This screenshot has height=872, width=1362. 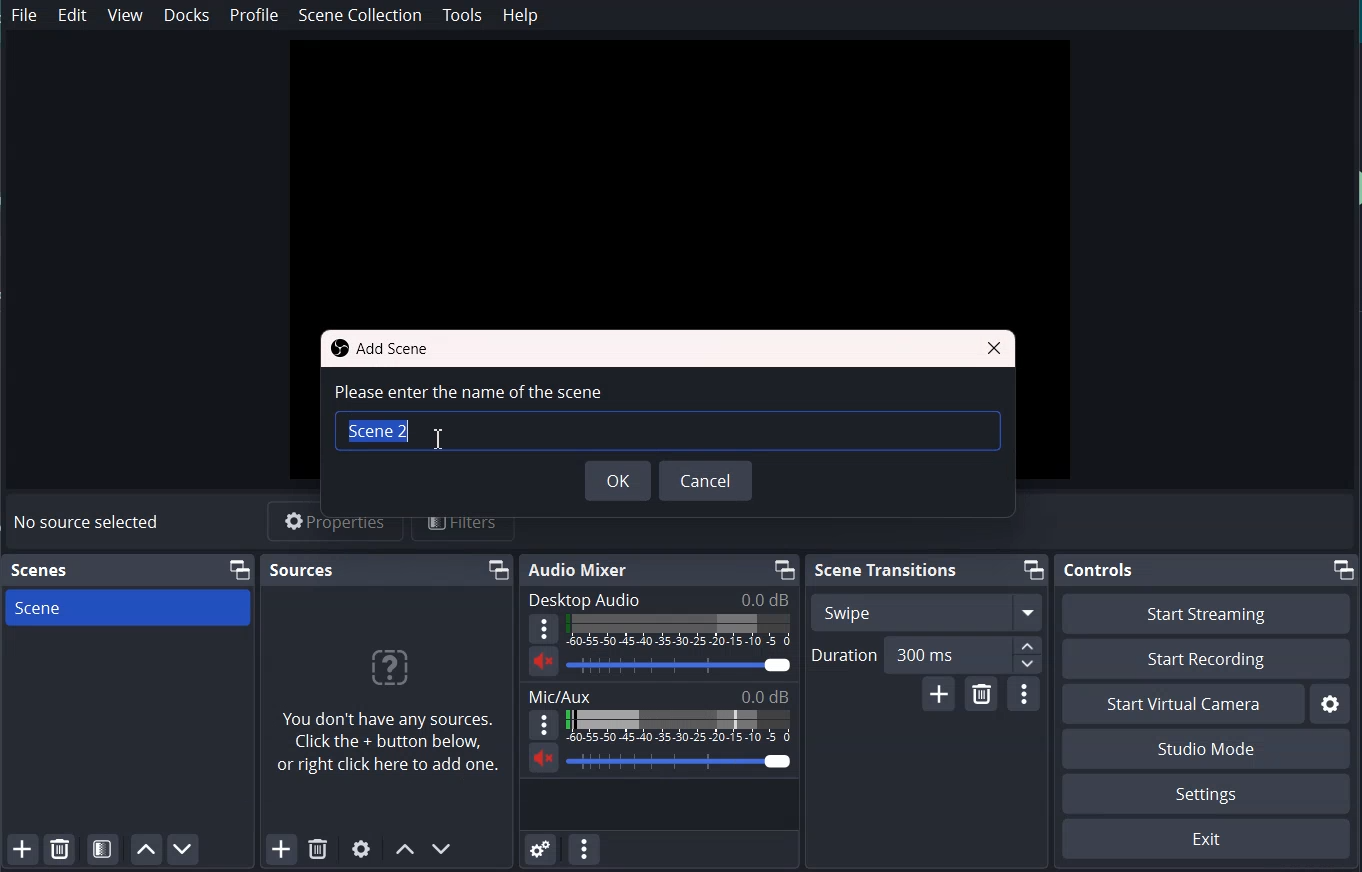 I want to click on Edit, so click(x=74, y=15).